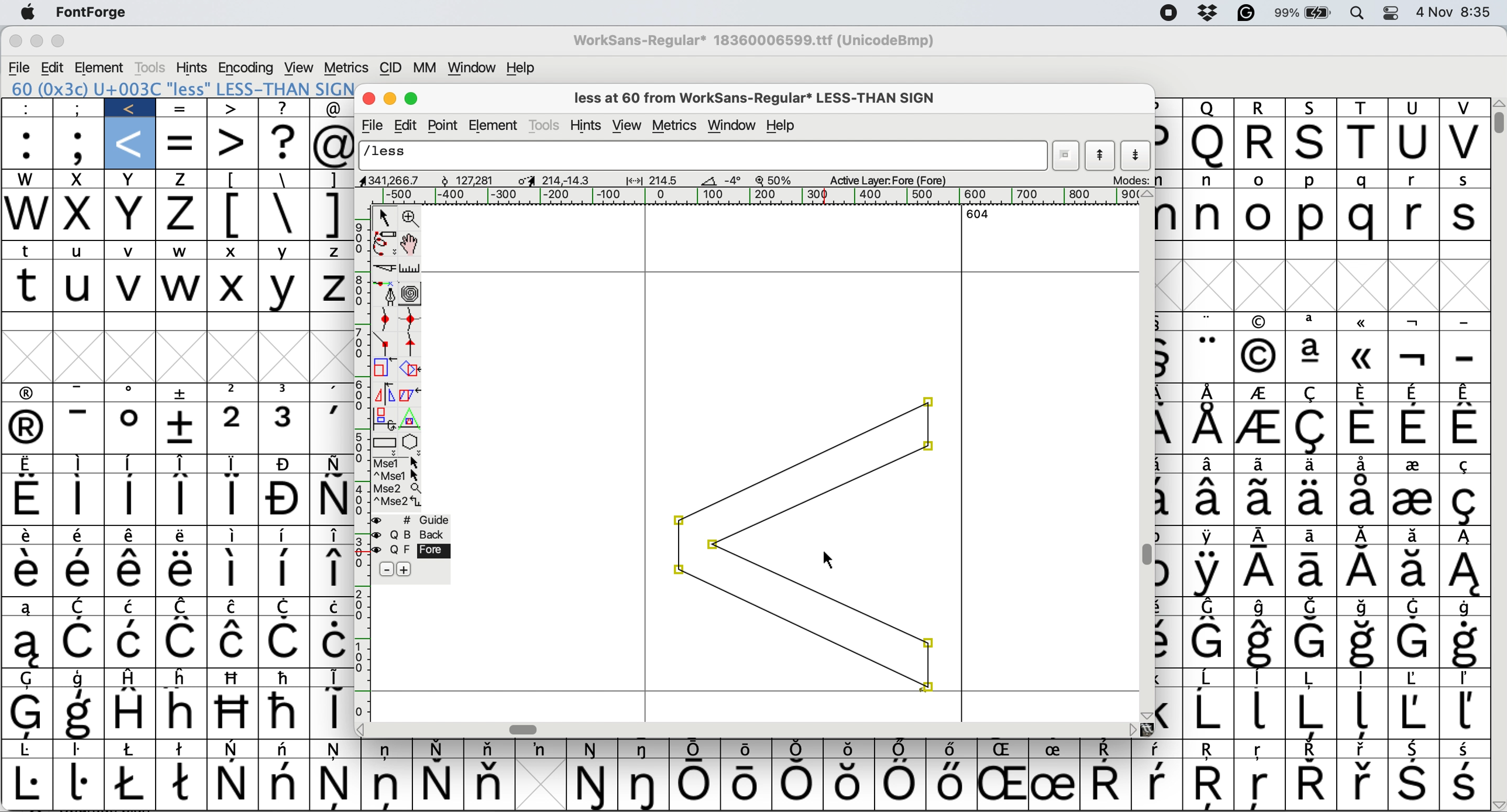 The image size is (1507, 812). What do you see at coordinates (82, 465) in the screenshot?
I see `Symbol` at bounding box center [82, 465].